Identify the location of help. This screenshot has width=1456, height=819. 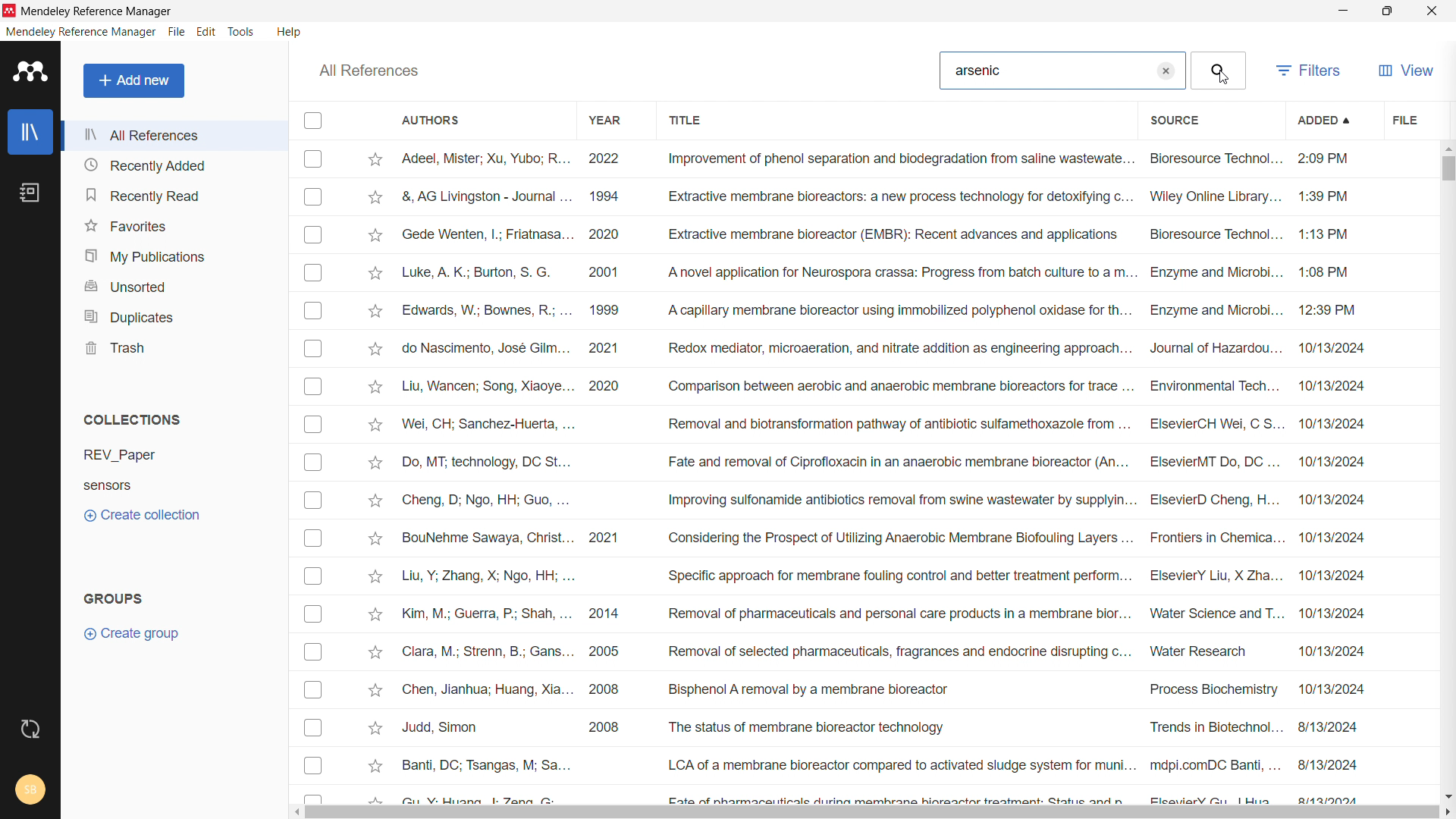
(290, 33).